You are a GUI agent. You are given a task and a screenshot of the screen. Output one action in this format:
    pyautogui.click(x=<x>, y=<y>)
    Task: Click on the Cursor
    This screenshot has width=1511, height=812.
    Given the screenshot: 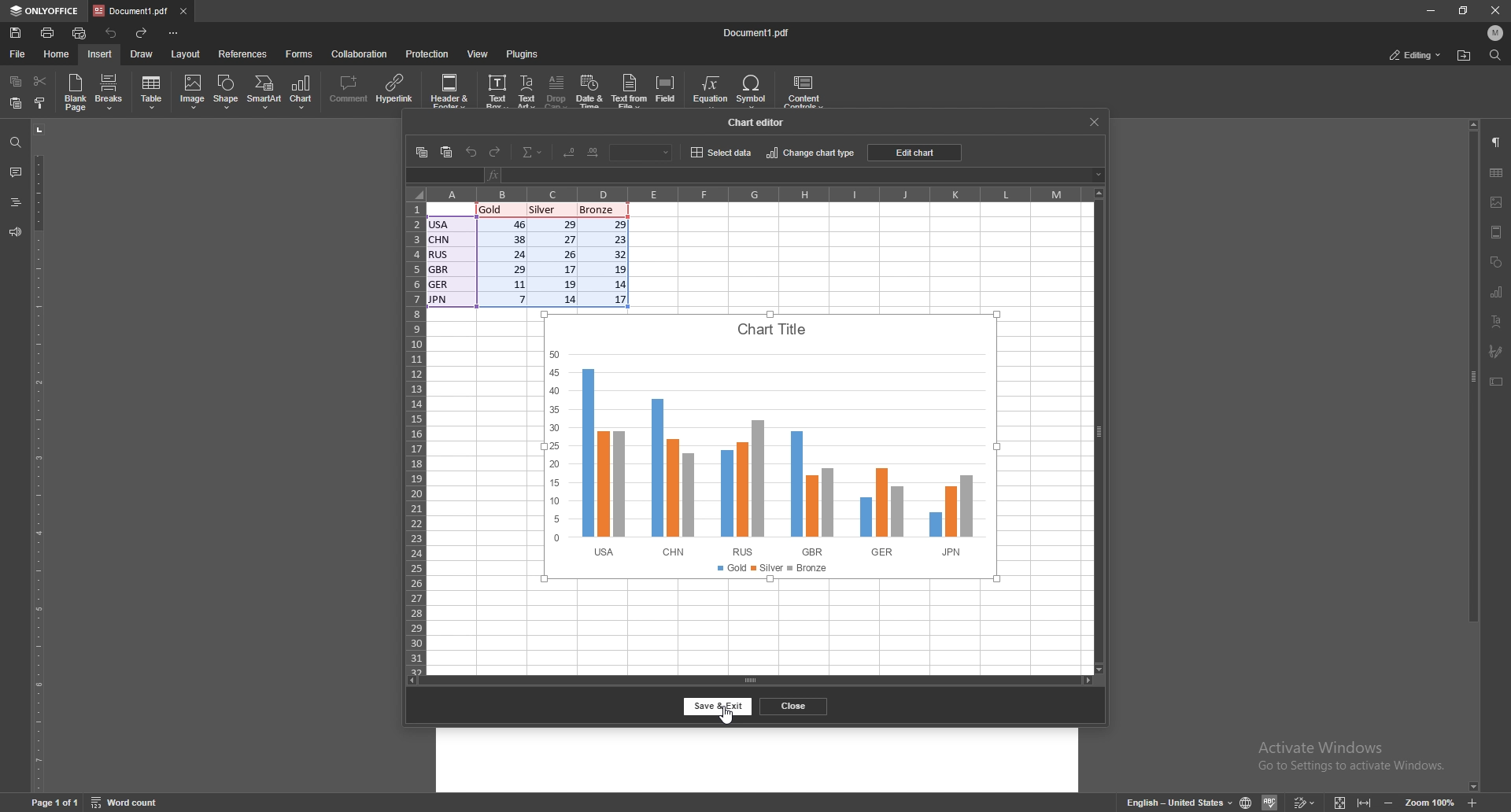 What is the action you would take?
    pyautogui.click(x=725, y=717)
    